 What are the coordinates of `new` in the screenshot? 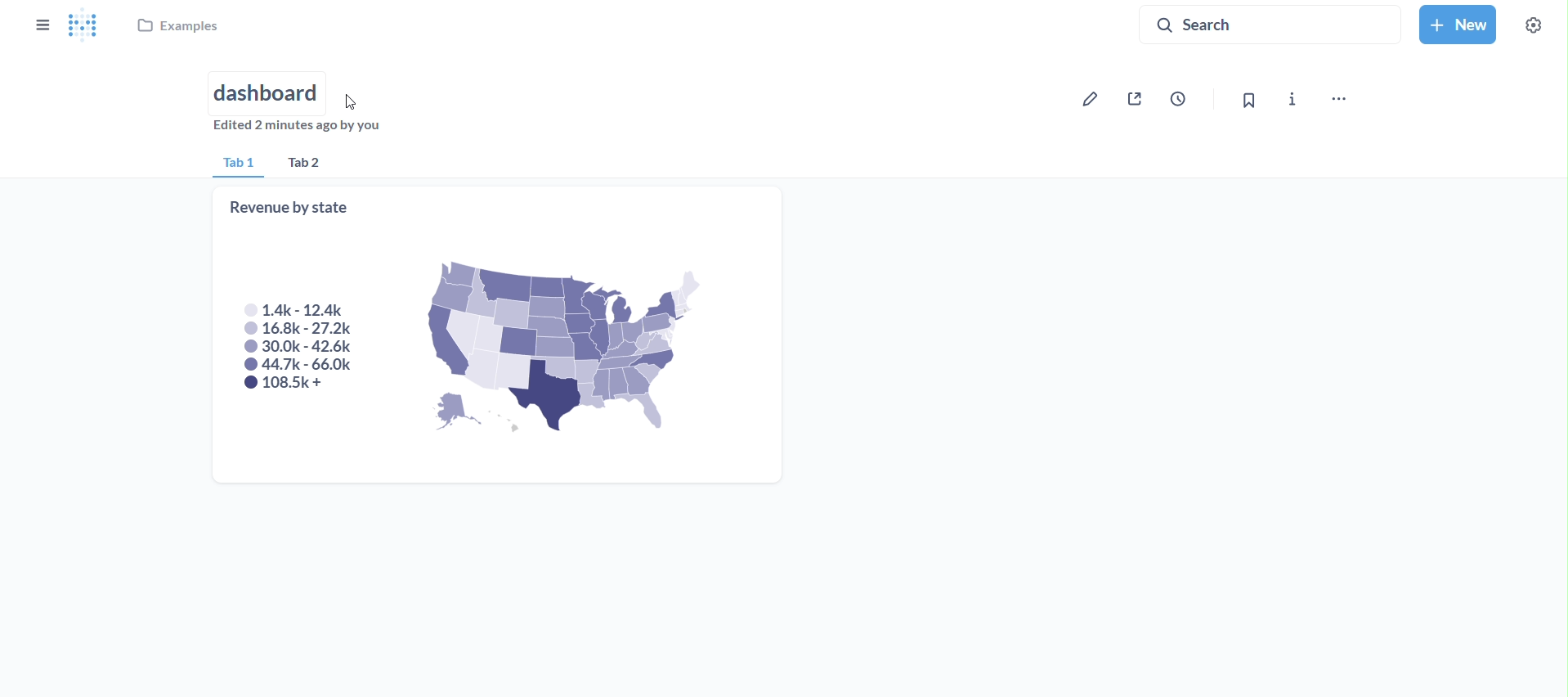 It's located at (1456, 22).